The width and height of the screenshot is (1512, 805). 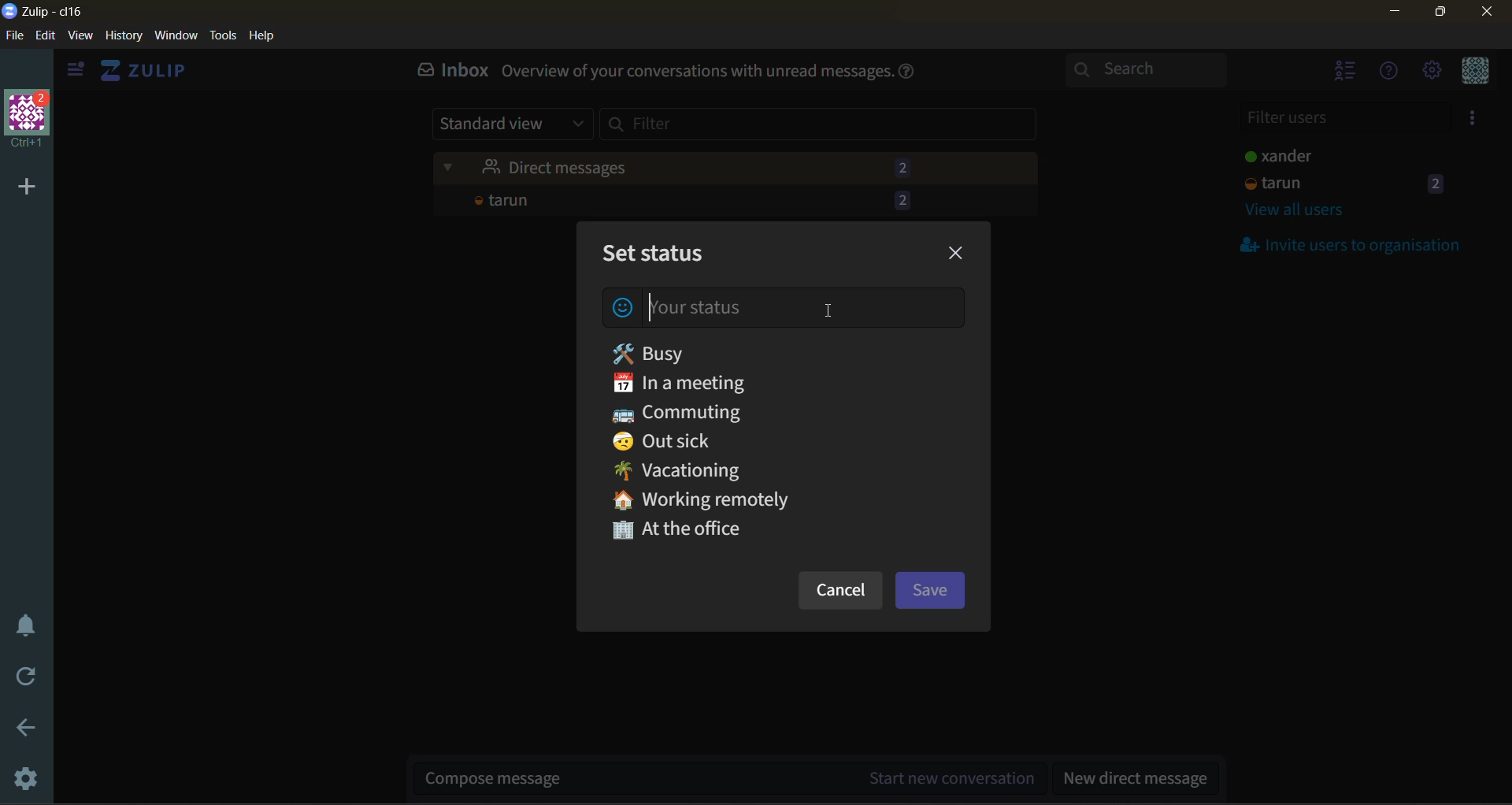 I want to click on minimize, so click(x=1397, y=13).